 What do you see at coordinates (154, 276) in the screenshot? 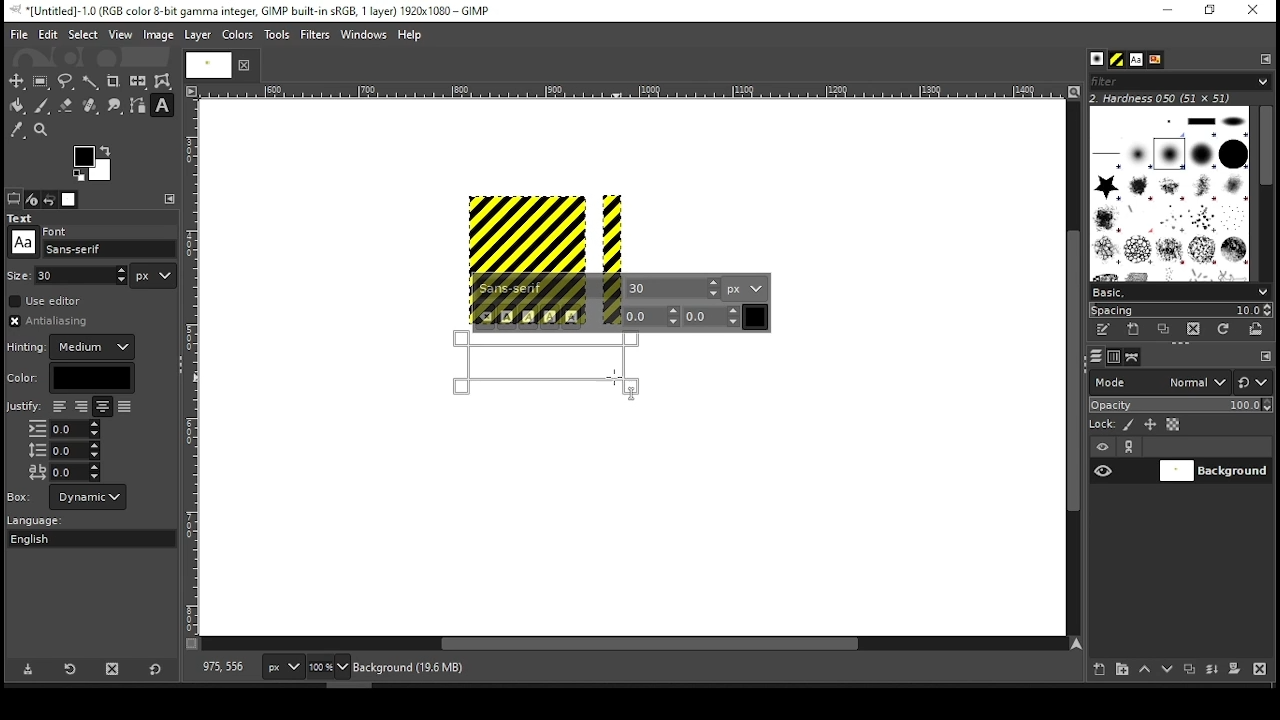
I see `units` at bounding box center [154, 276].